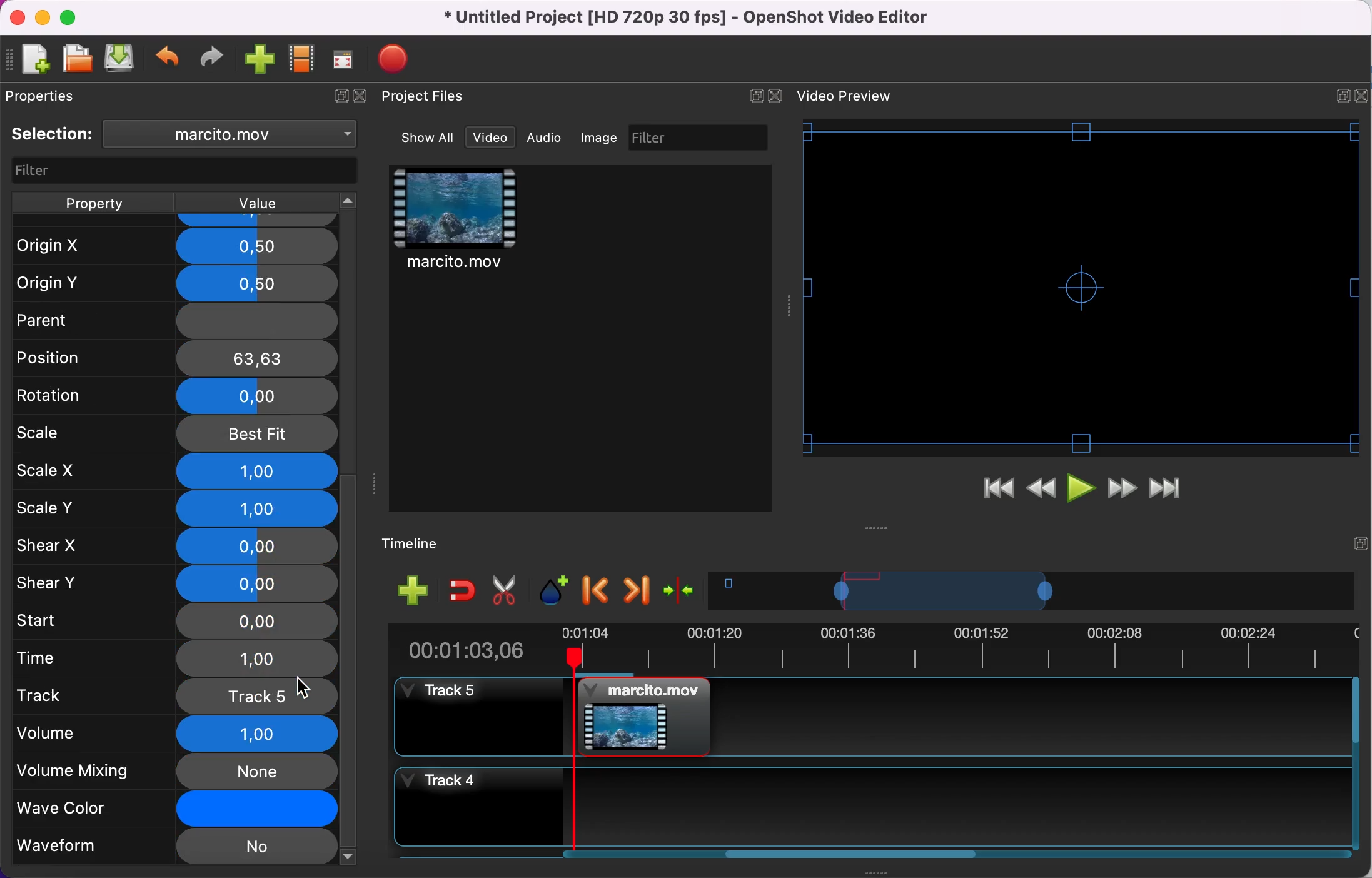 The width and height of the screenshot is (1372, 878). I want to click on maximize, so click(72, 17).